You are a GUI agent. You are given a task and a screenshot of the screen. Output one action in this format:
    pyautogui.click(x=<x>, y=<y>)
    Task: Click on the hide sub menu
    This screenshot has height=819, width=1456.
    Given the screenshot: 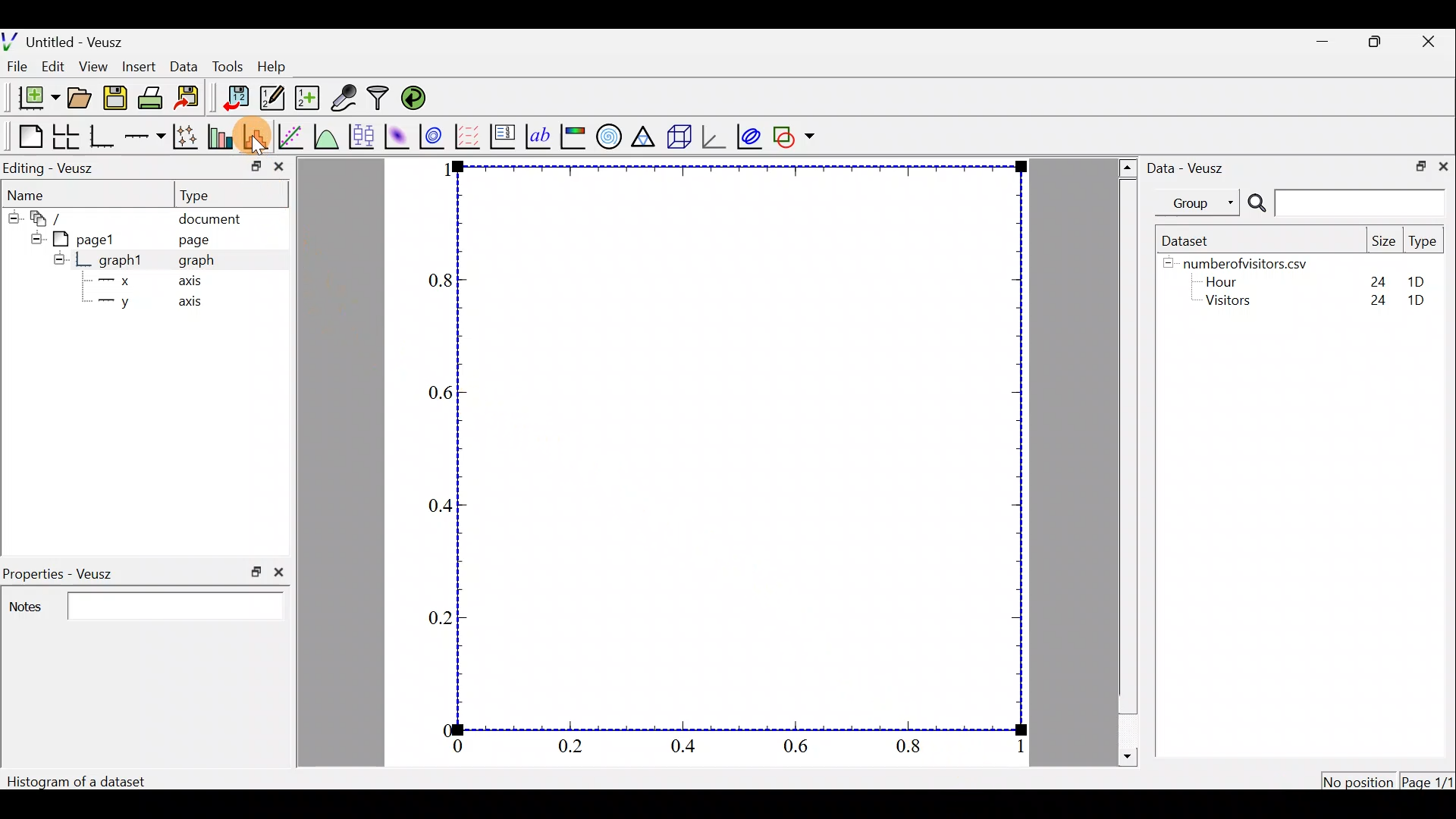 What is the action you would take?
    pyautogui.click(x=55, y=262)
    